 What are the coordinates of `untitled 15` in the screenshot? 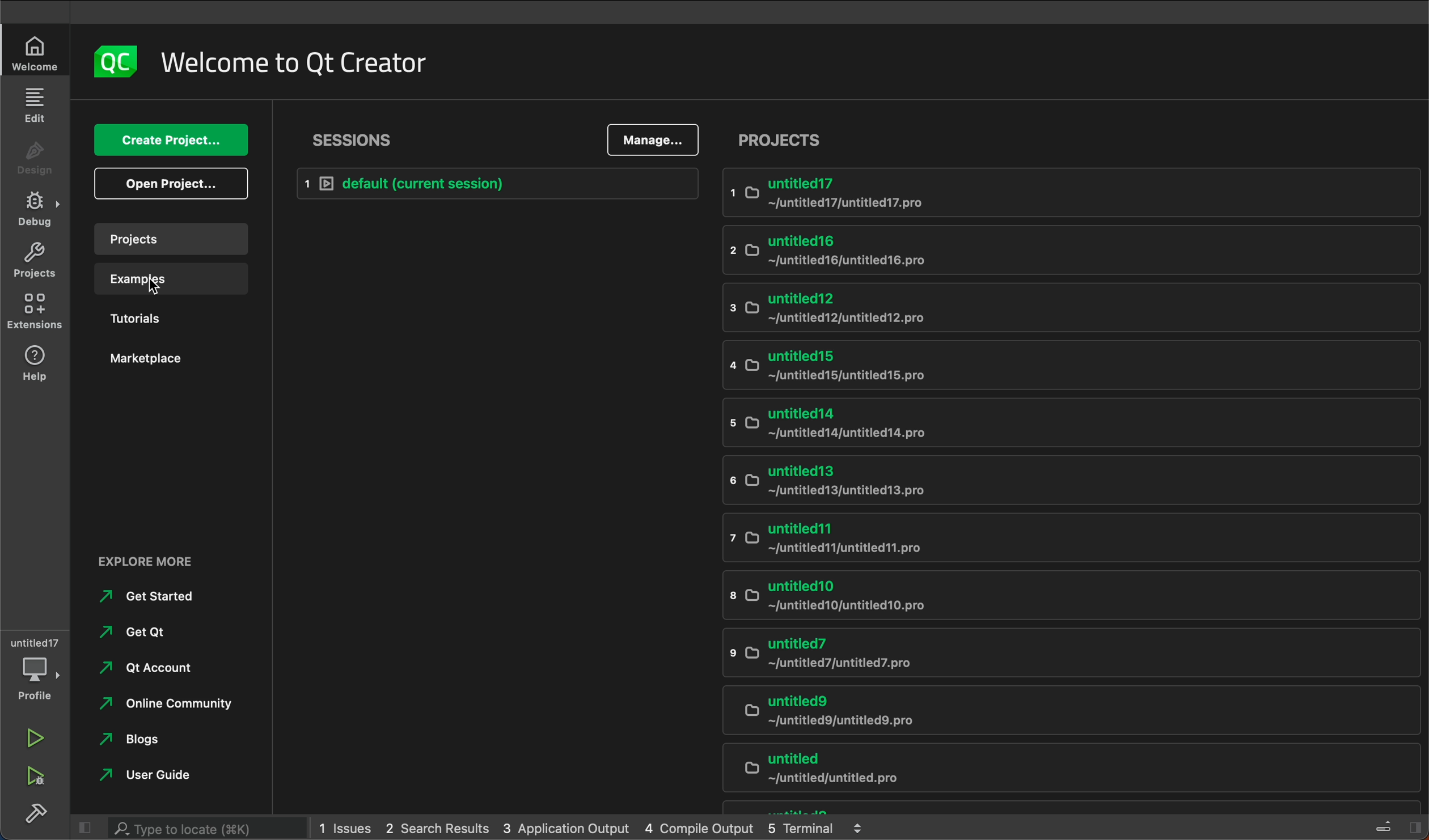 It's located at (1062, 366).